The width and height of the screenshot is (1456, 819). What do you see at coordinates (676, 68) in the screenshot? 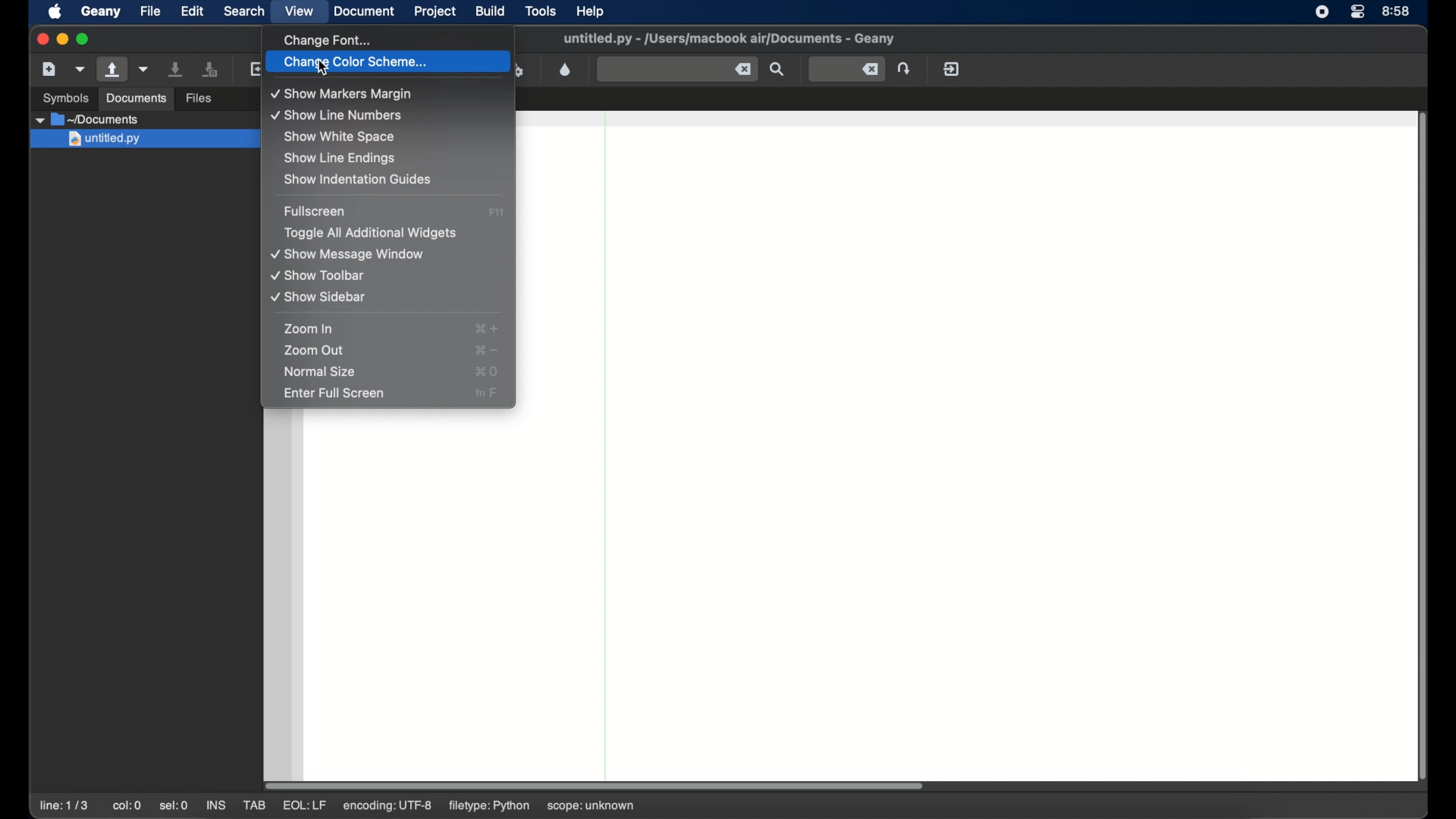
I see `find the entered text in current file` at bounding box center [676, 68].